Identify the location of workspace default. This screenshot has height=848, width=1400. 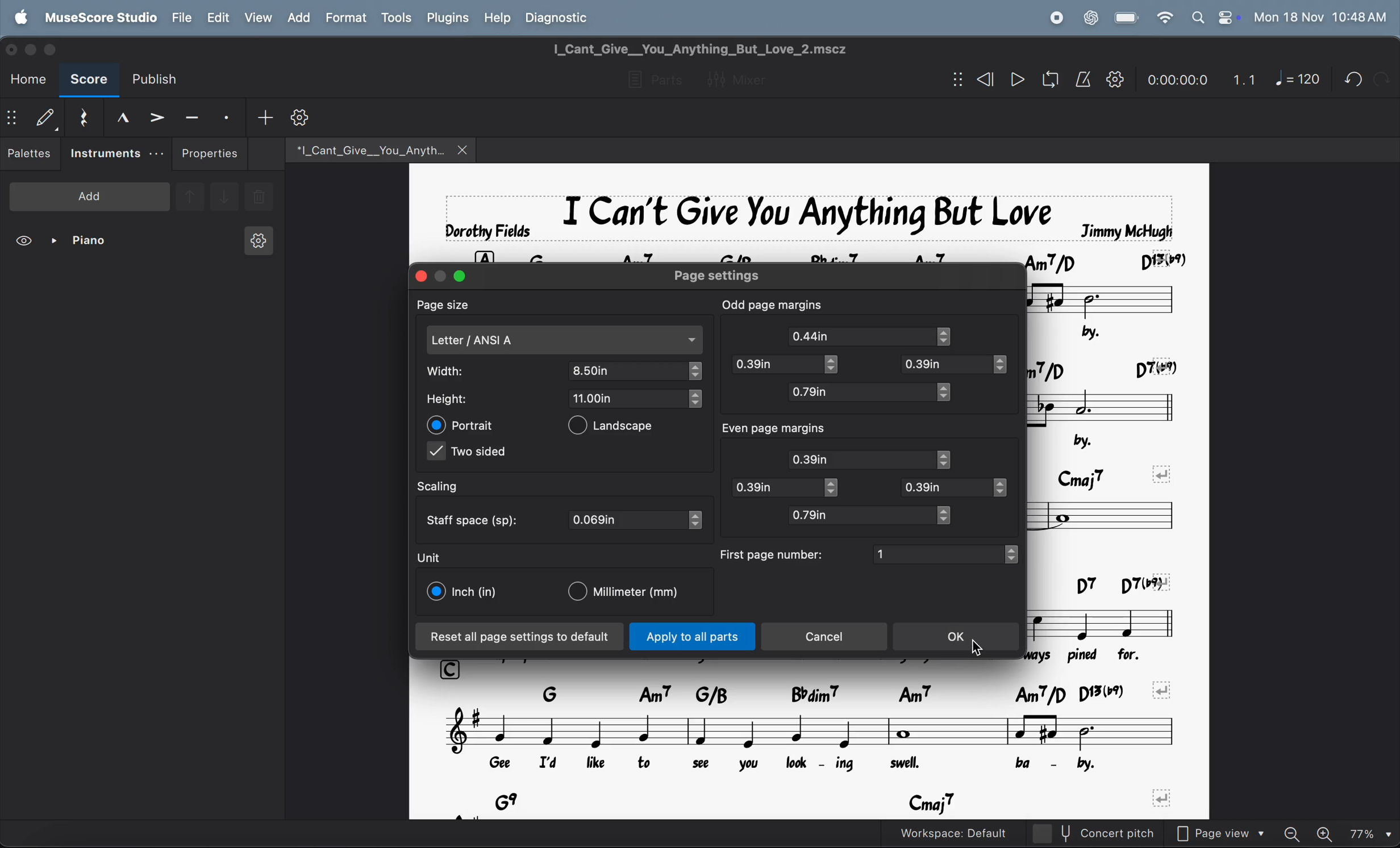
(977, 833).